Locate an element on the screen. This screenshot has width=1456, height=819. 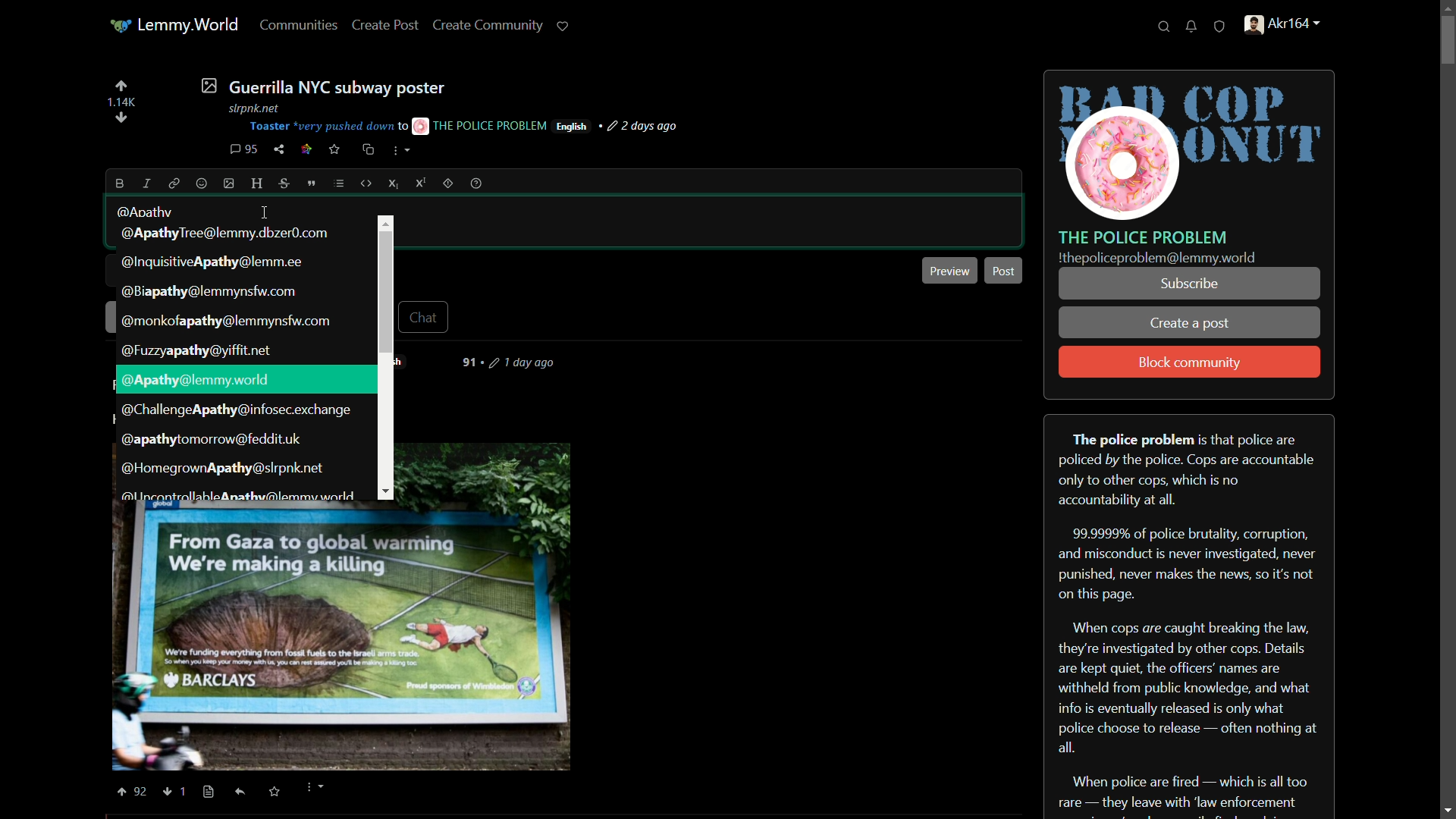
chat is located at coordinates (426, 316).